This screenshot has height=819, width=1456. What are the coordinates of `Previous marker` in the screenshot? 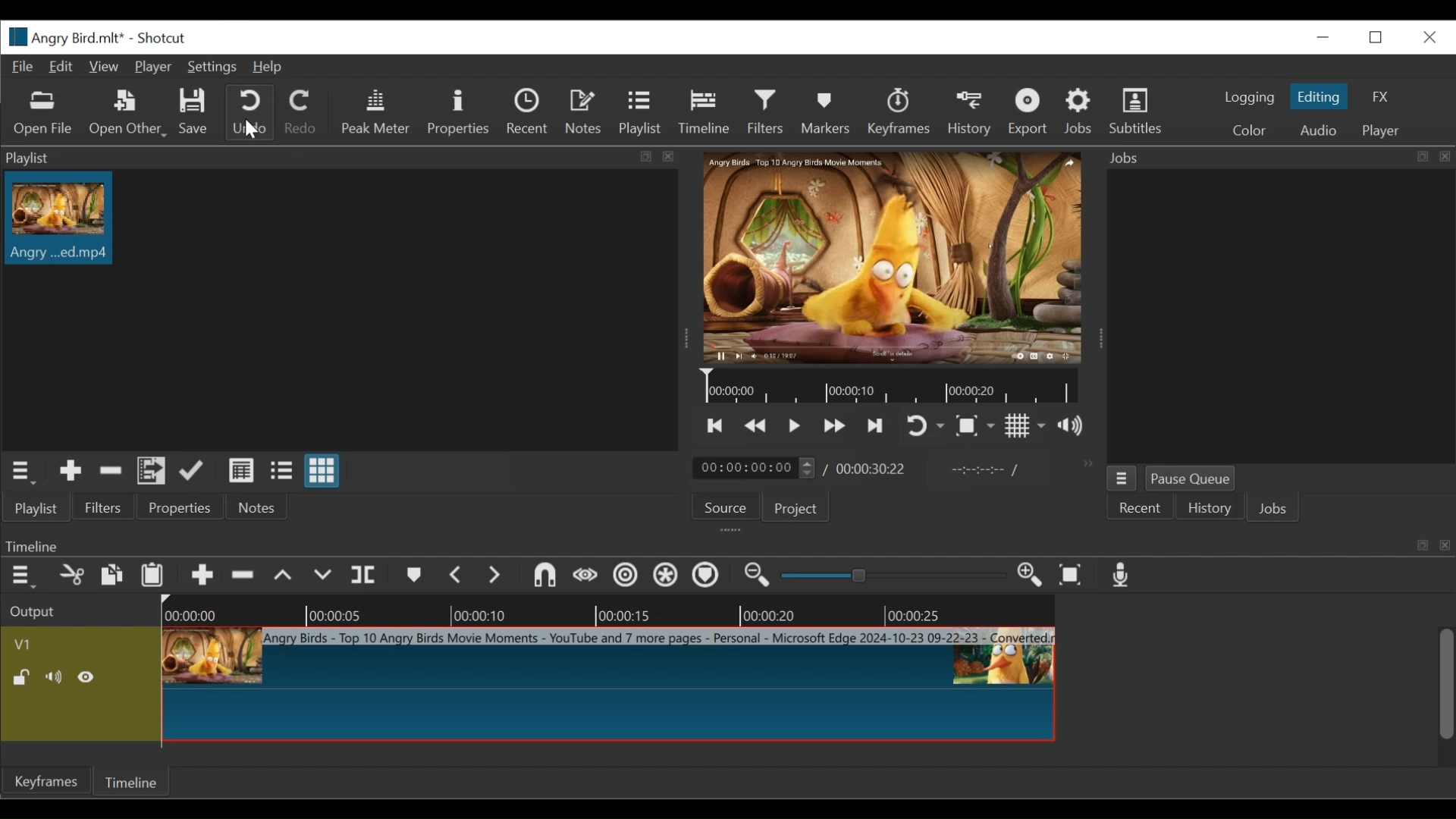 It's located at (457, 576).